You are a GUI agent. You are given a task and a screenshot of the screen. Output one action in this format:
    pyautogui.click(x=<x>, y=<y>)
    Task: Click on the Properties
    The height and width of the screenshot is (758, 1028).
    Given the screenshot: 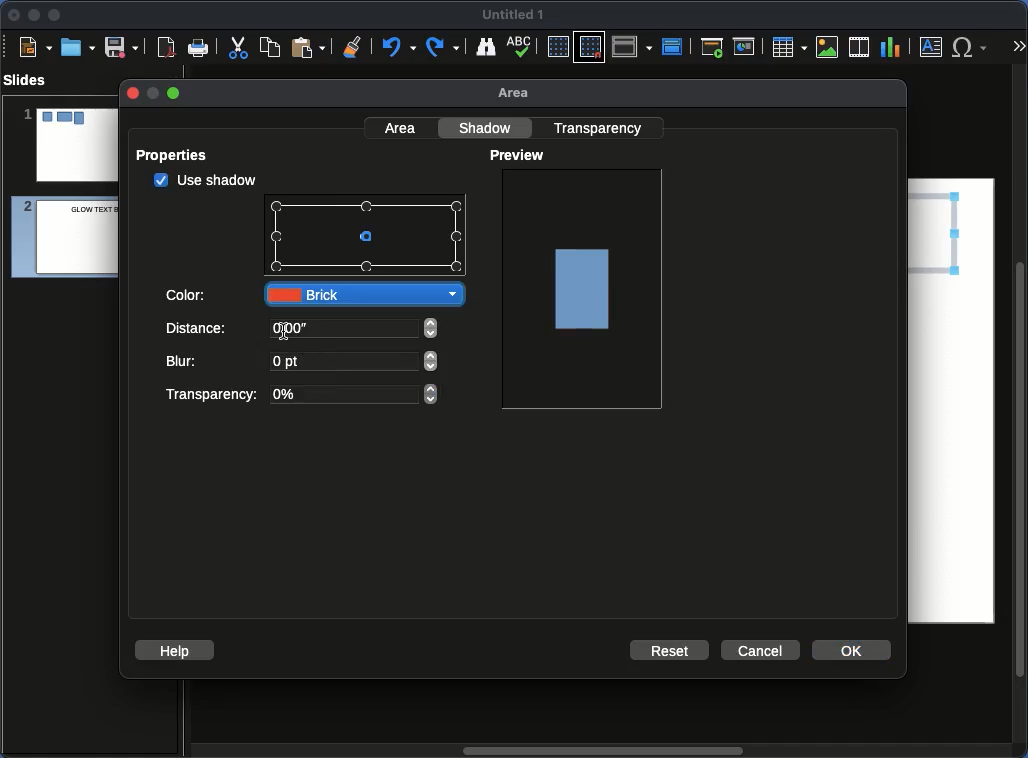 What is the action you would take?
    pyautogui.click(x=178, y=155)
    